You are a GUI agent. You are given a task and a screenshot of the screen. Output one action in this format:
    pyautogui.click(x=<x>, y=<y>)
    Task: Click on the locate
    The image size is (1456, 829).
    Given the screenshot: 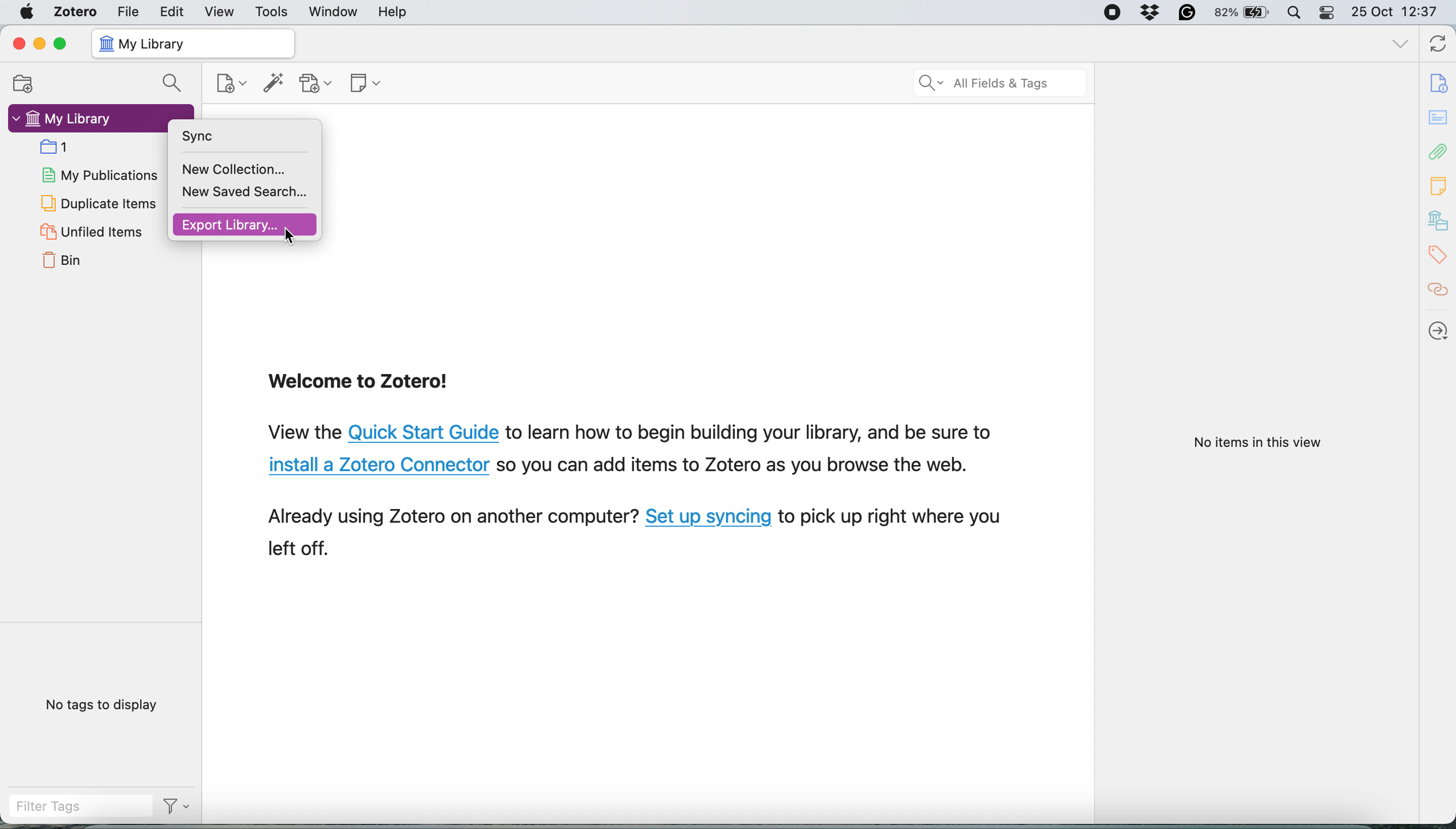 What is the action you would take?
    pyautogui.click(x=1440, y=333)
    